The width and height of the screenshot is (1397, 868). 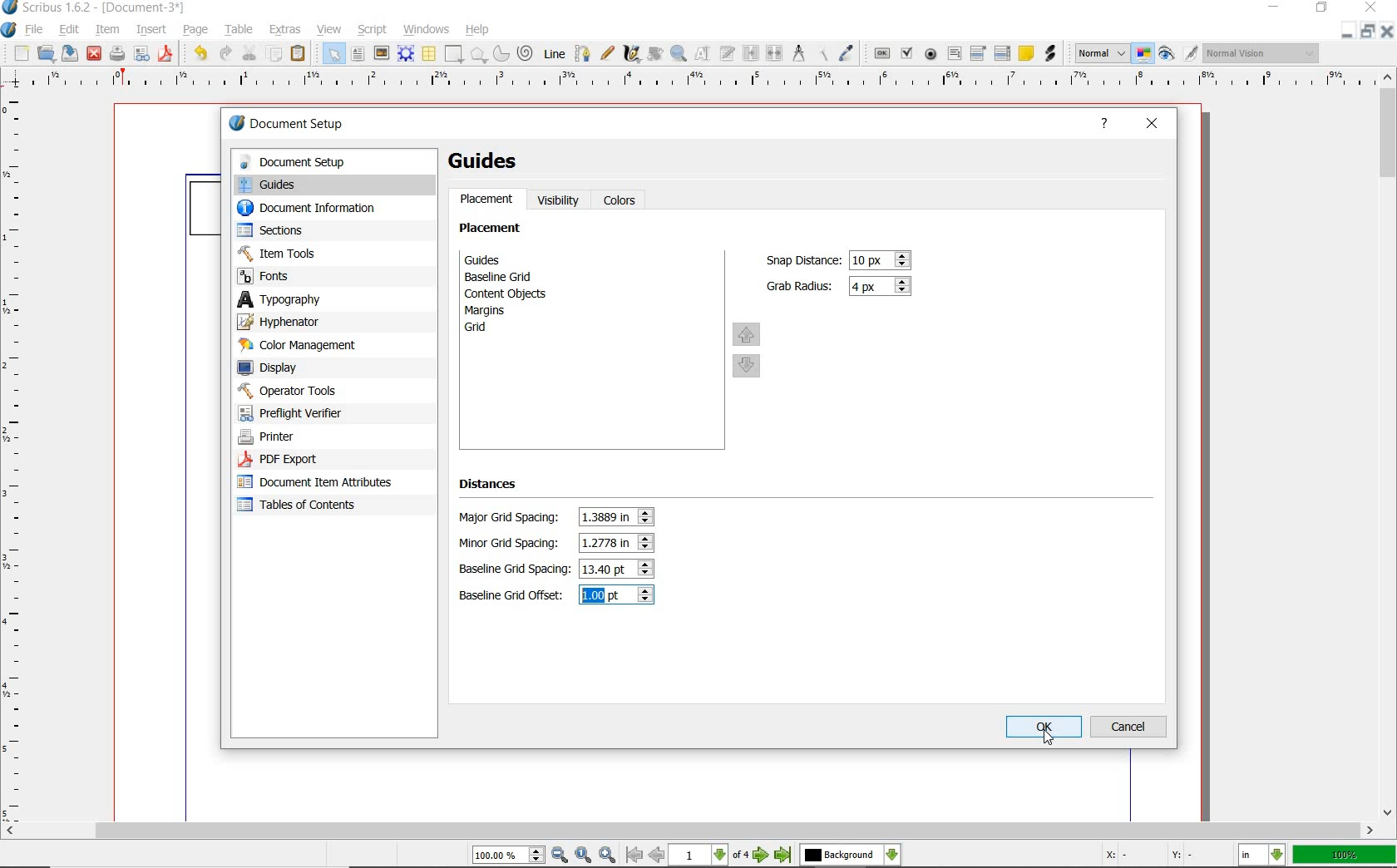 I want to click on shape, so click(x=455, y=55).